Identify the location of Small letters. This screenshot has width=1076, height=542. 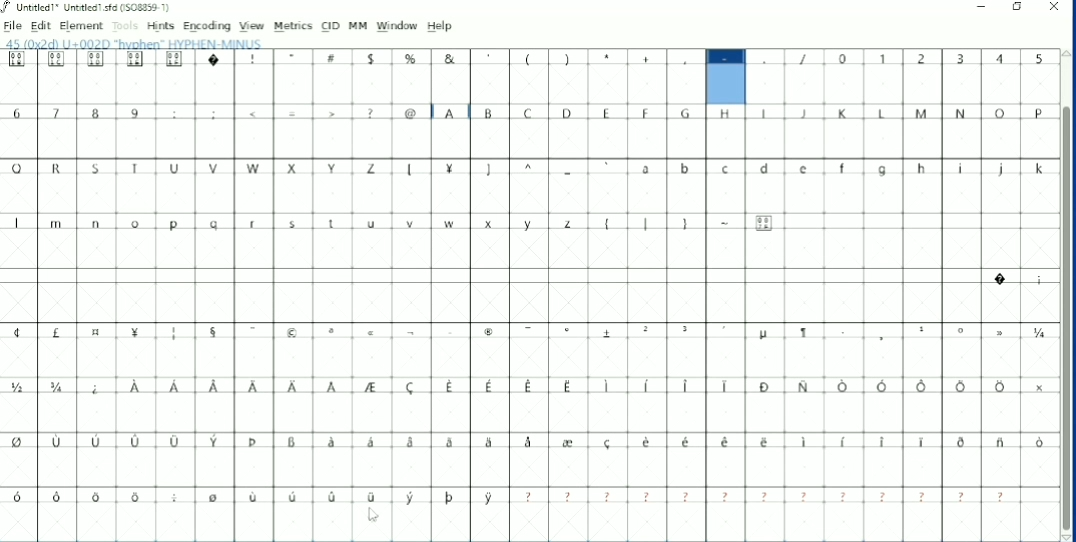
(843, 169).